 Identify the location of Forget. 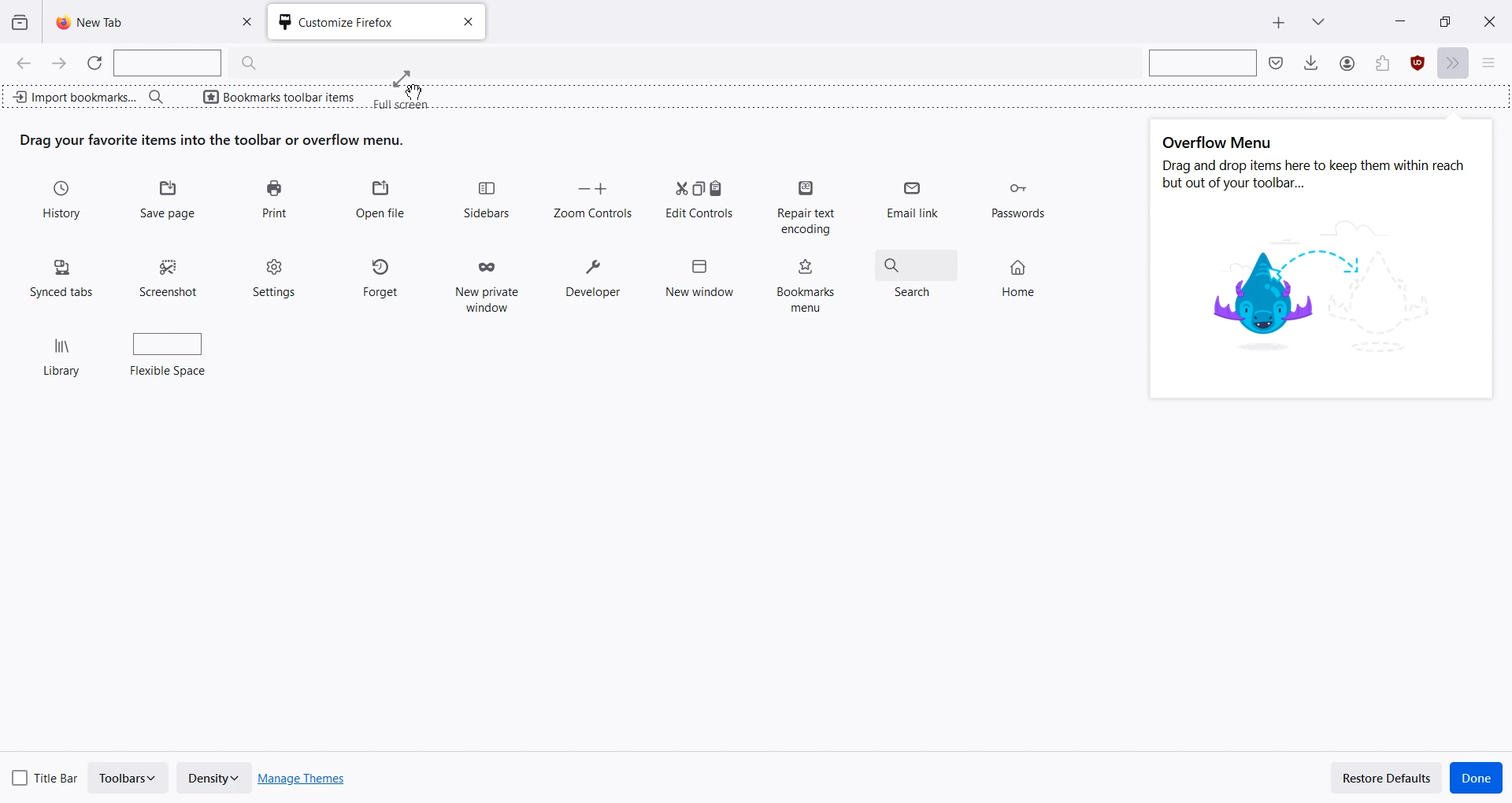
(382, 275).